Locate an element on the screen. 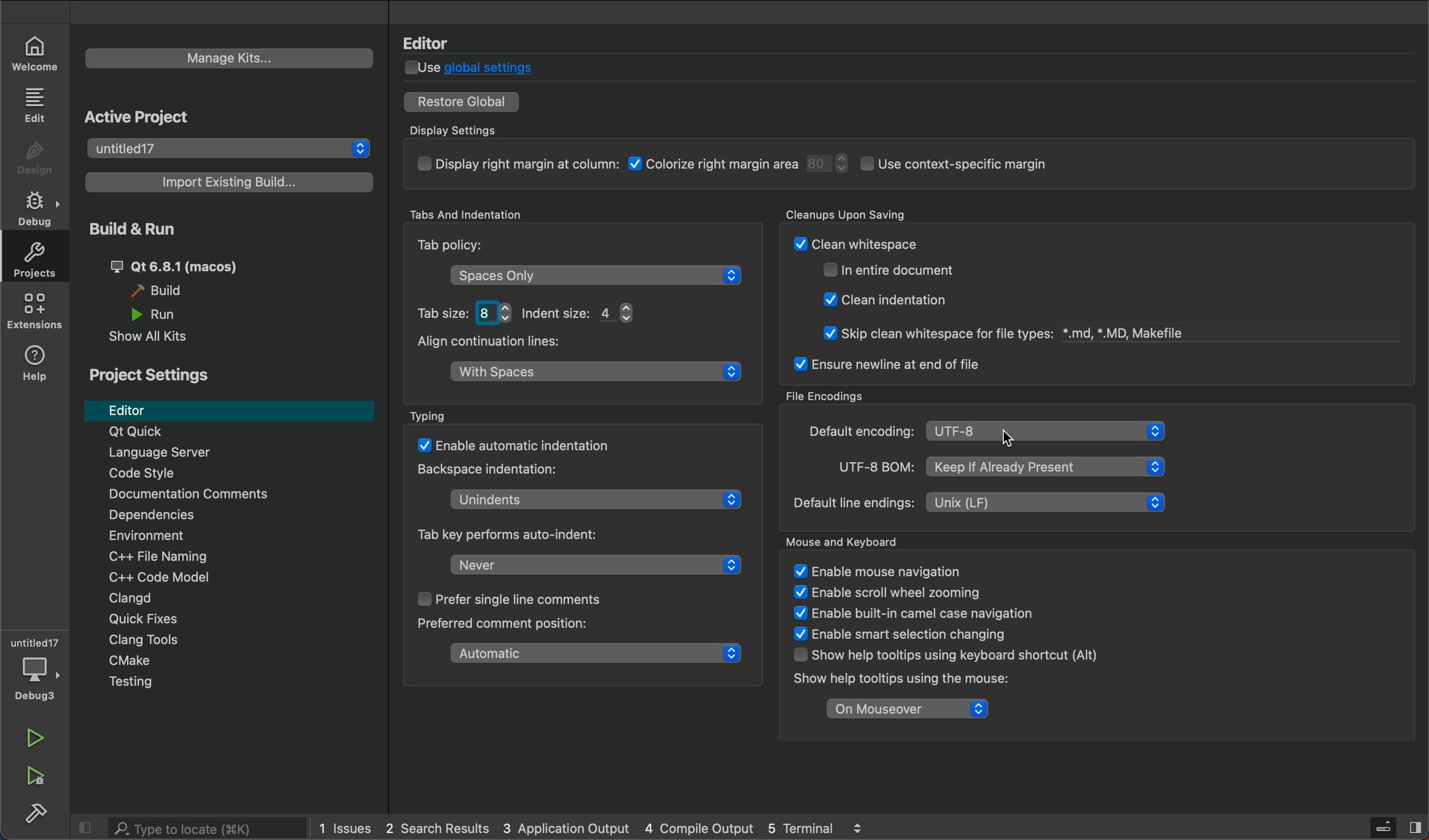 Image resolution: width=1429 pixels, height=840 pixels. projects is located at coordinates (229, 149).